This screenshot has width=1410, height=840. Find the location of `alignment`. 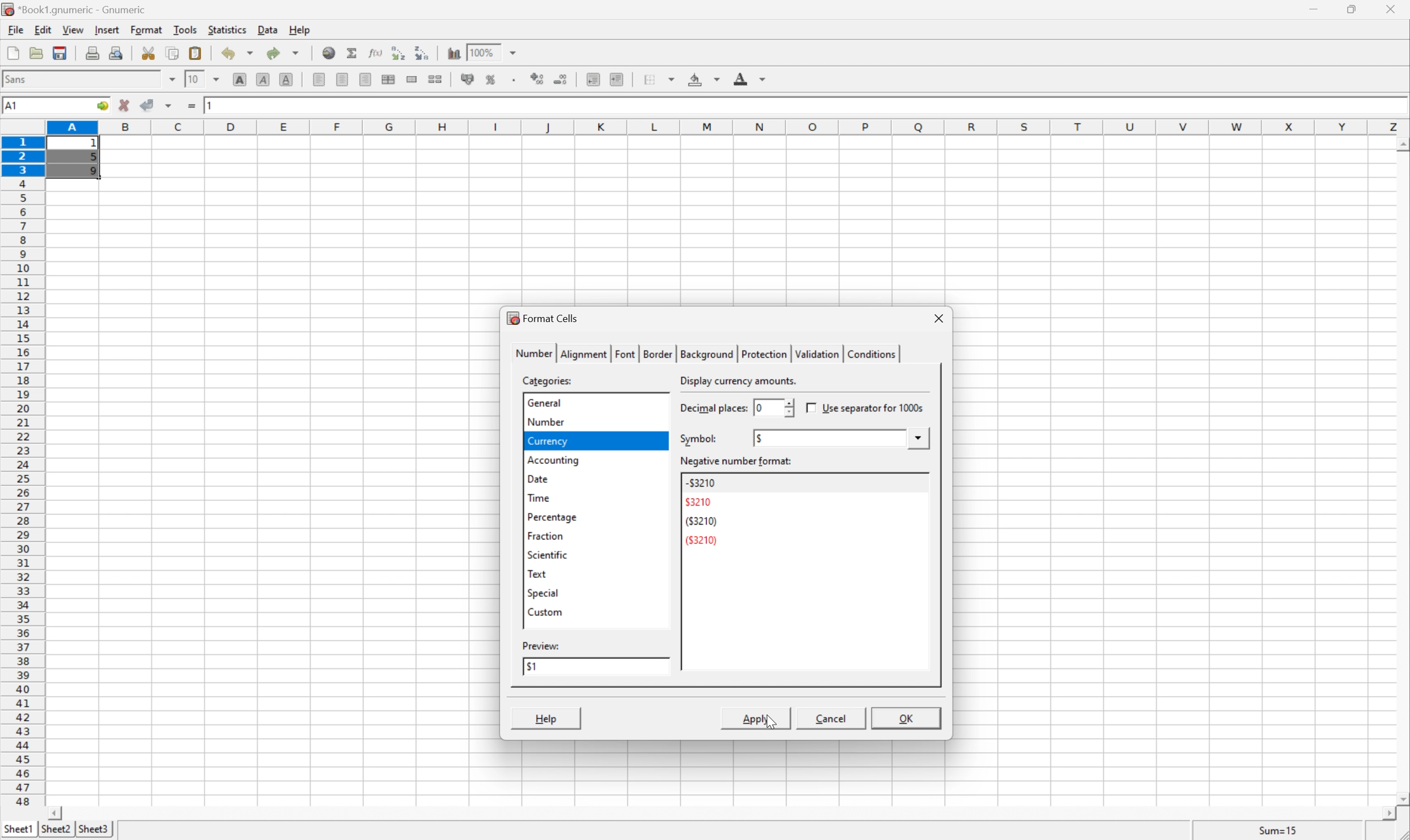

alignment is located at coordinates (584, 353).